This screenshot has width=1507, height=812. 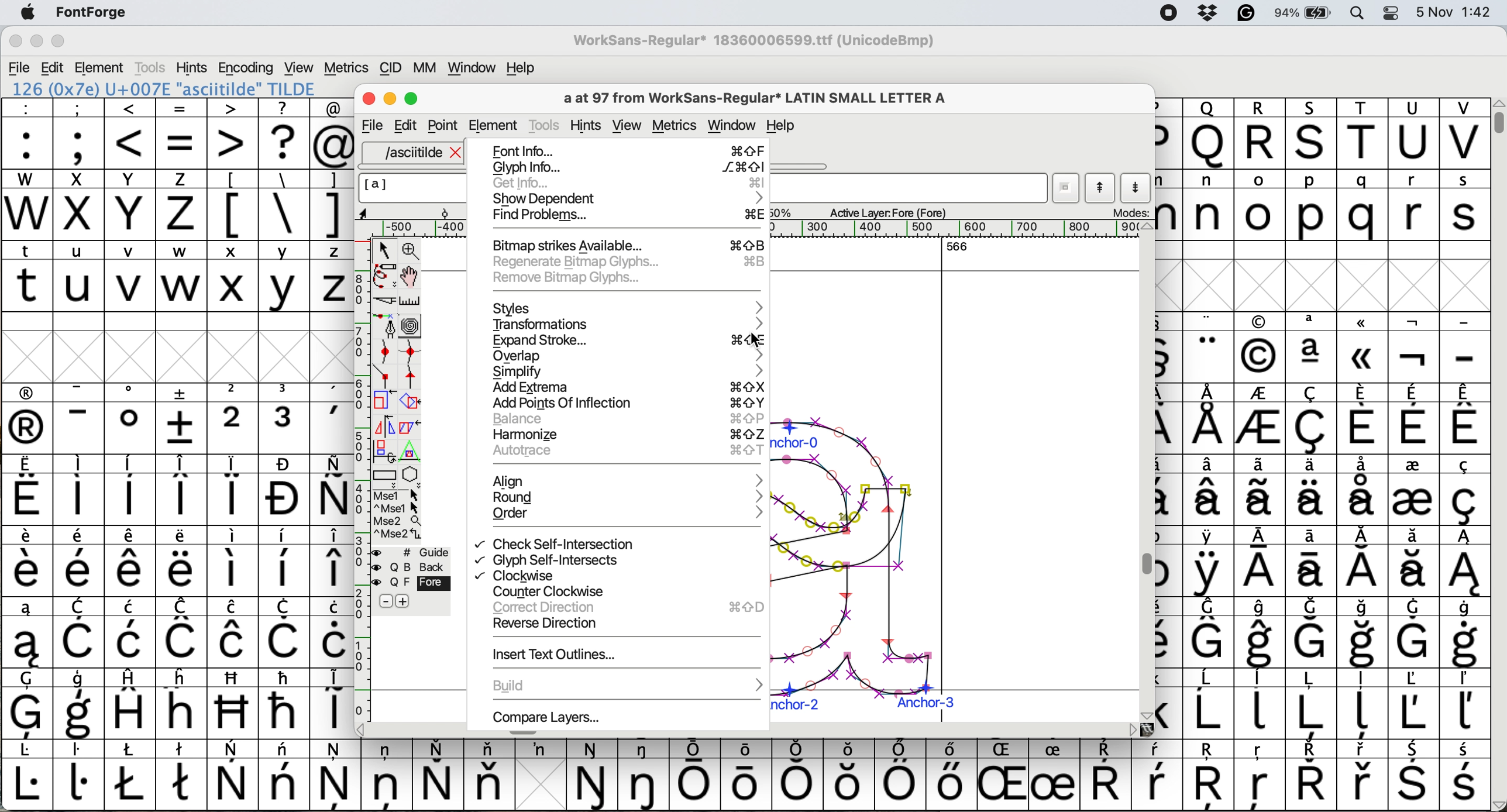 What do you see at coordinates (615, 340) in the screenshot?
I see `expand stroke` at bounding box center [615, 340].